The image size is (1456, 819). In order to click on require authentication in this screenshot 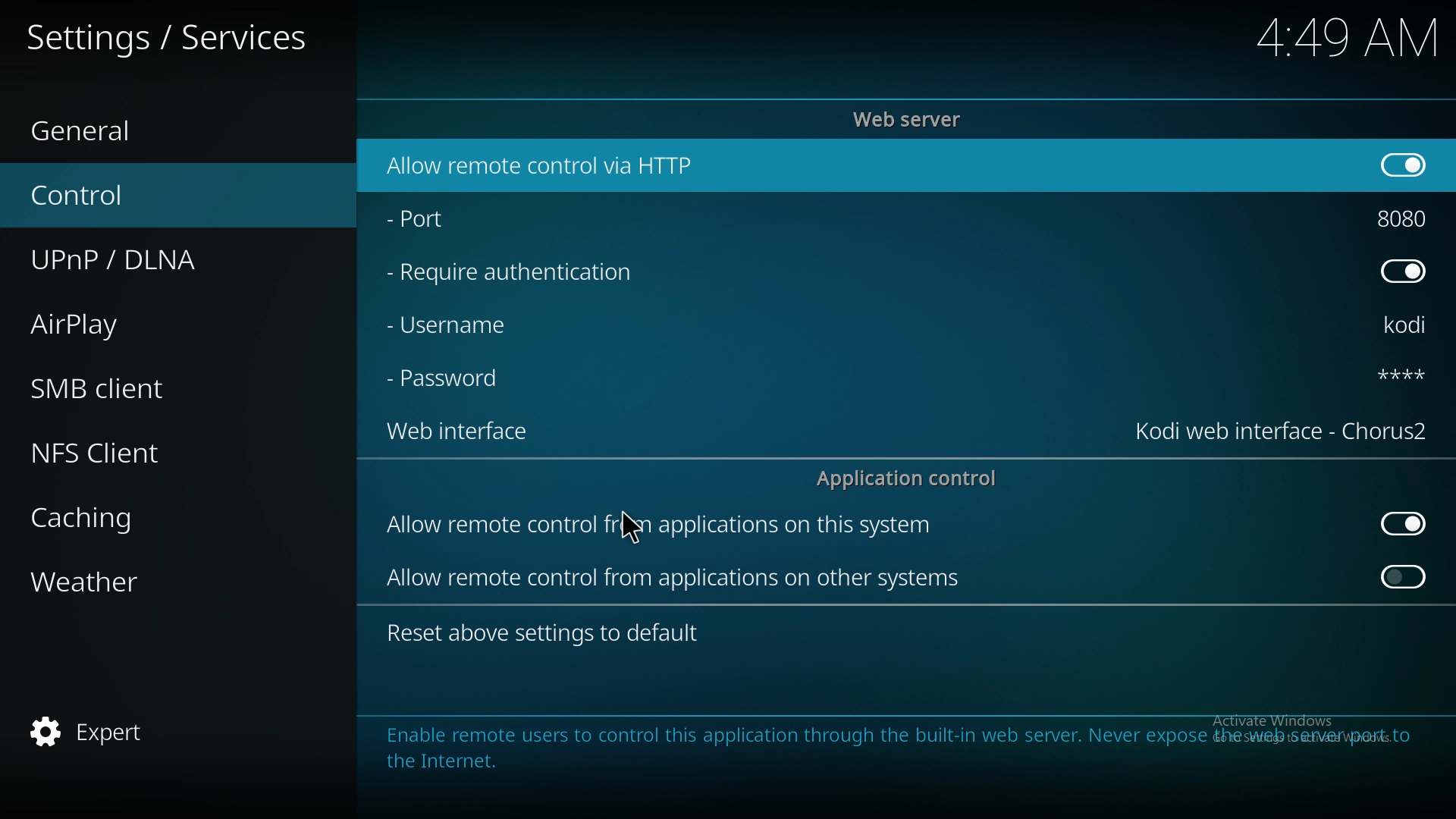, I will do `click(529, 275)`.